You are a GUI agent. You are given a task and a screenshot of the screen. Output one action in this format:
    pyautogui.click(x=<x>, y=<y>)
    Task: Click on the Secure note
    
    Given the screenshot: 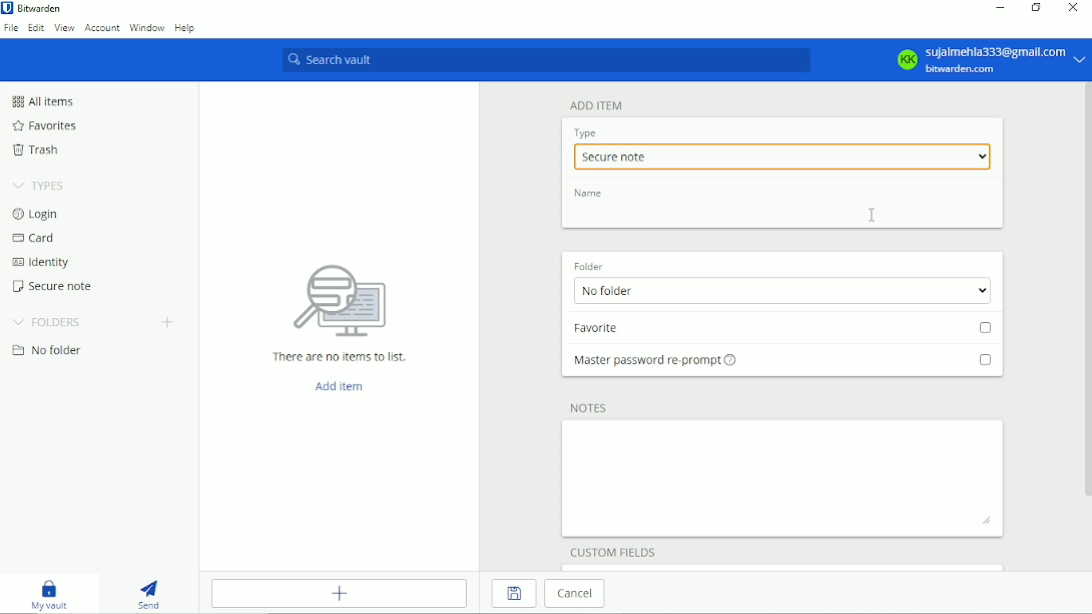 What is the action you would take?
    pyautogui.click(x=54, y=286)
    